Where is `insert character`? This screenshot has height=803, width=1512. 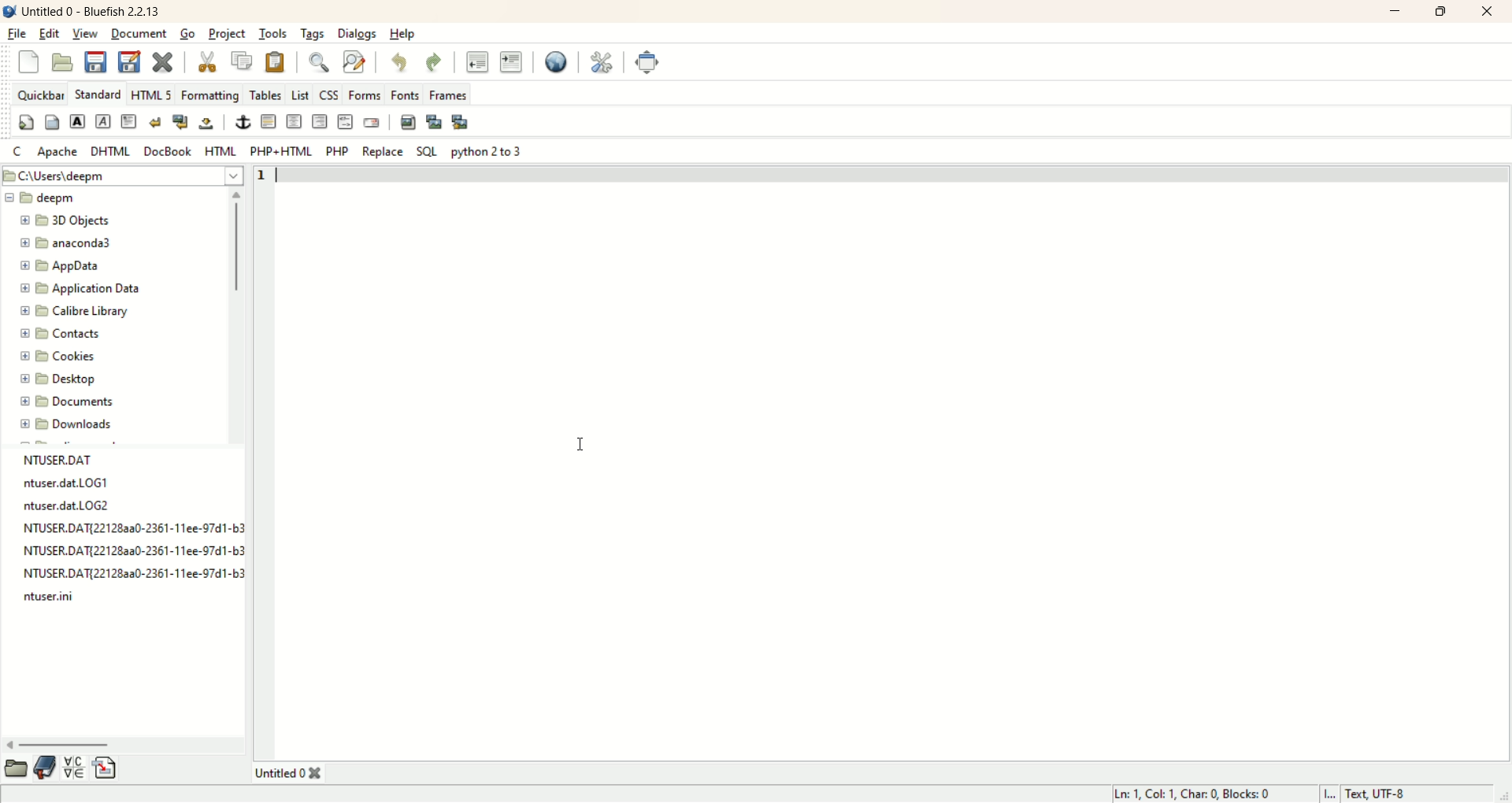 insert character is located at coordinates (75, 768).